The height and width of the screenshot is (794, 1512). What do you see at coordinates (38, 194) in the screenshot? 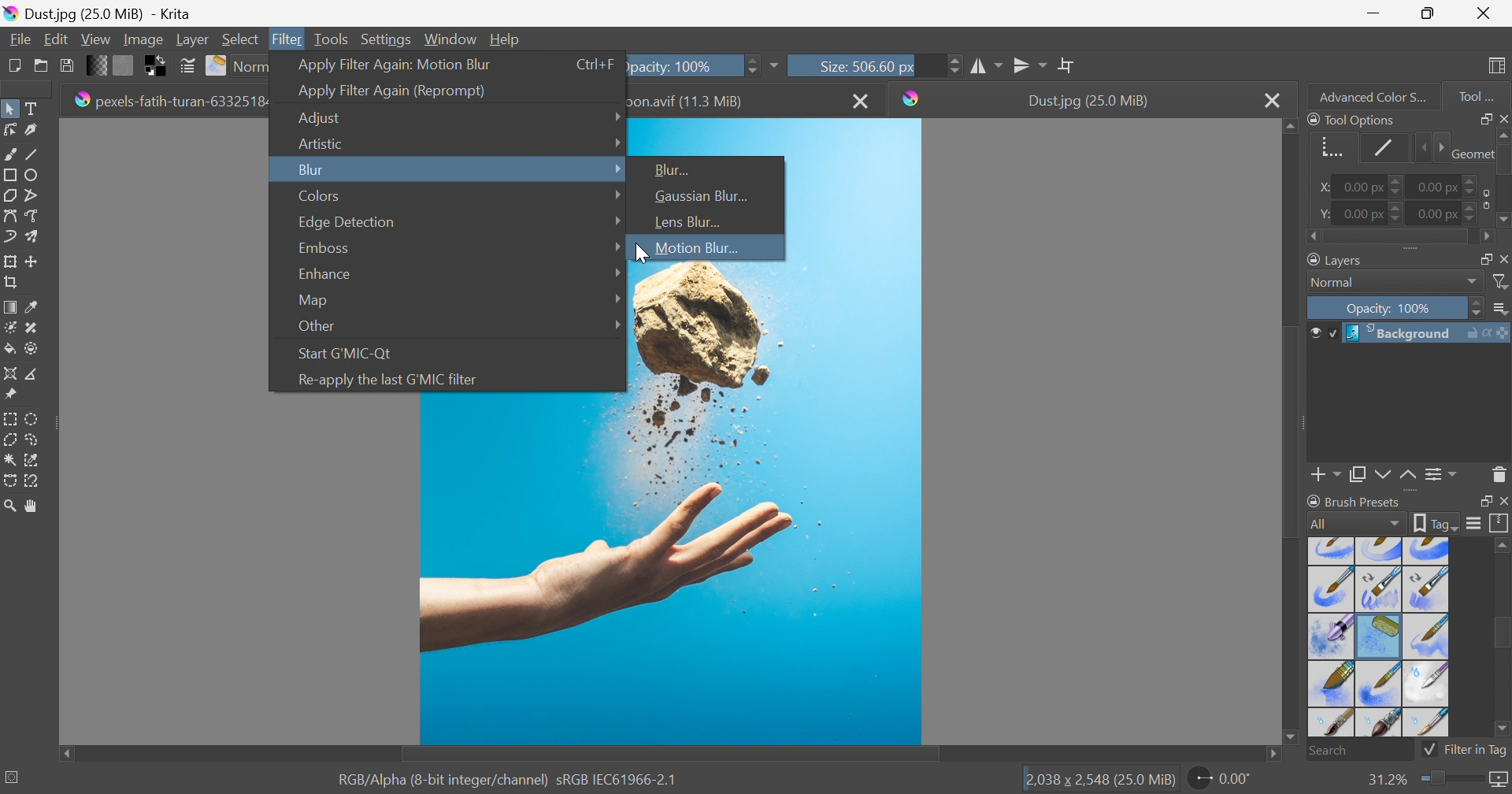
I see `Polyline tool` at bounding box center [38, 194].